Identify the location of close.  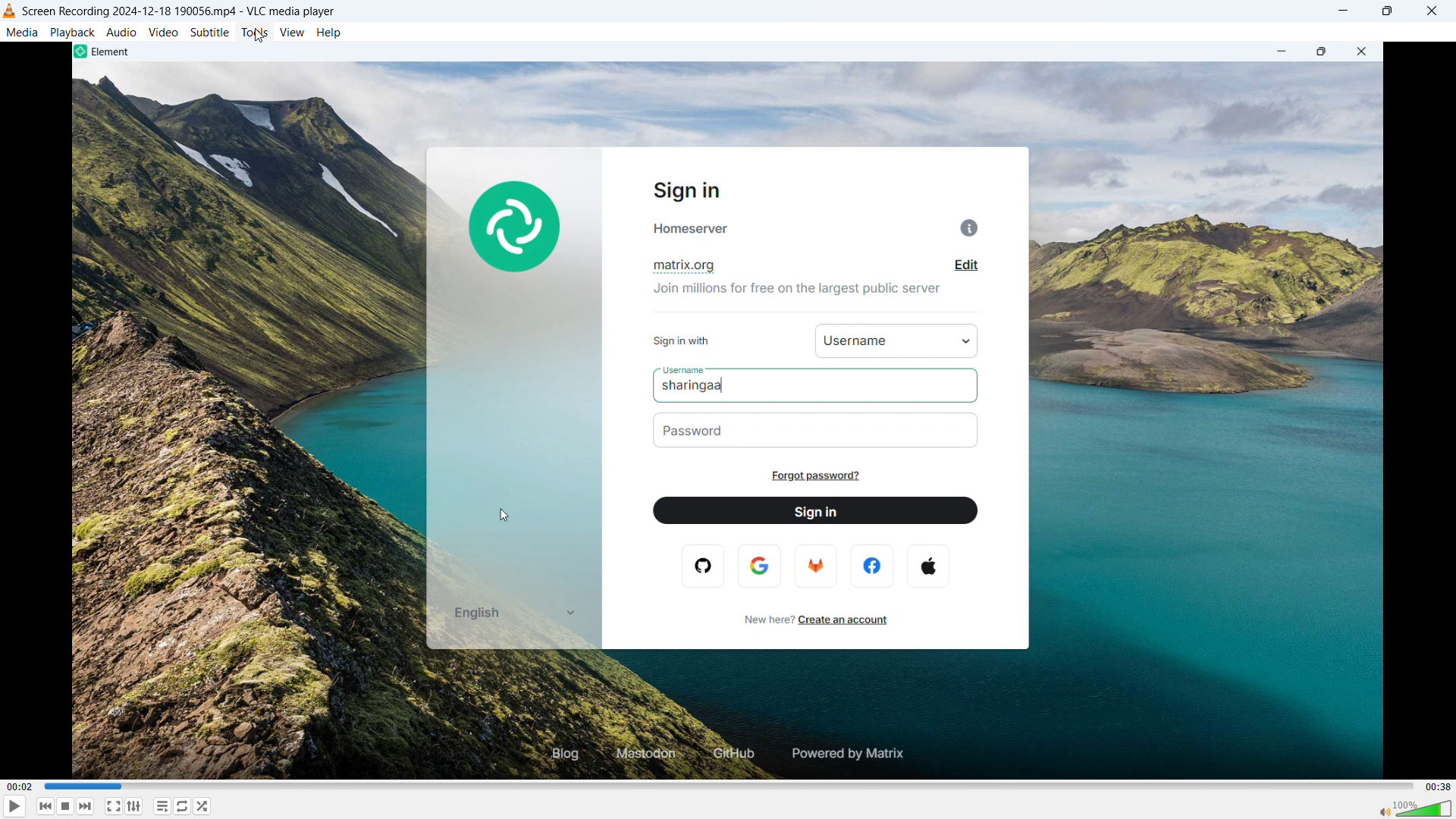
(1432, 11).